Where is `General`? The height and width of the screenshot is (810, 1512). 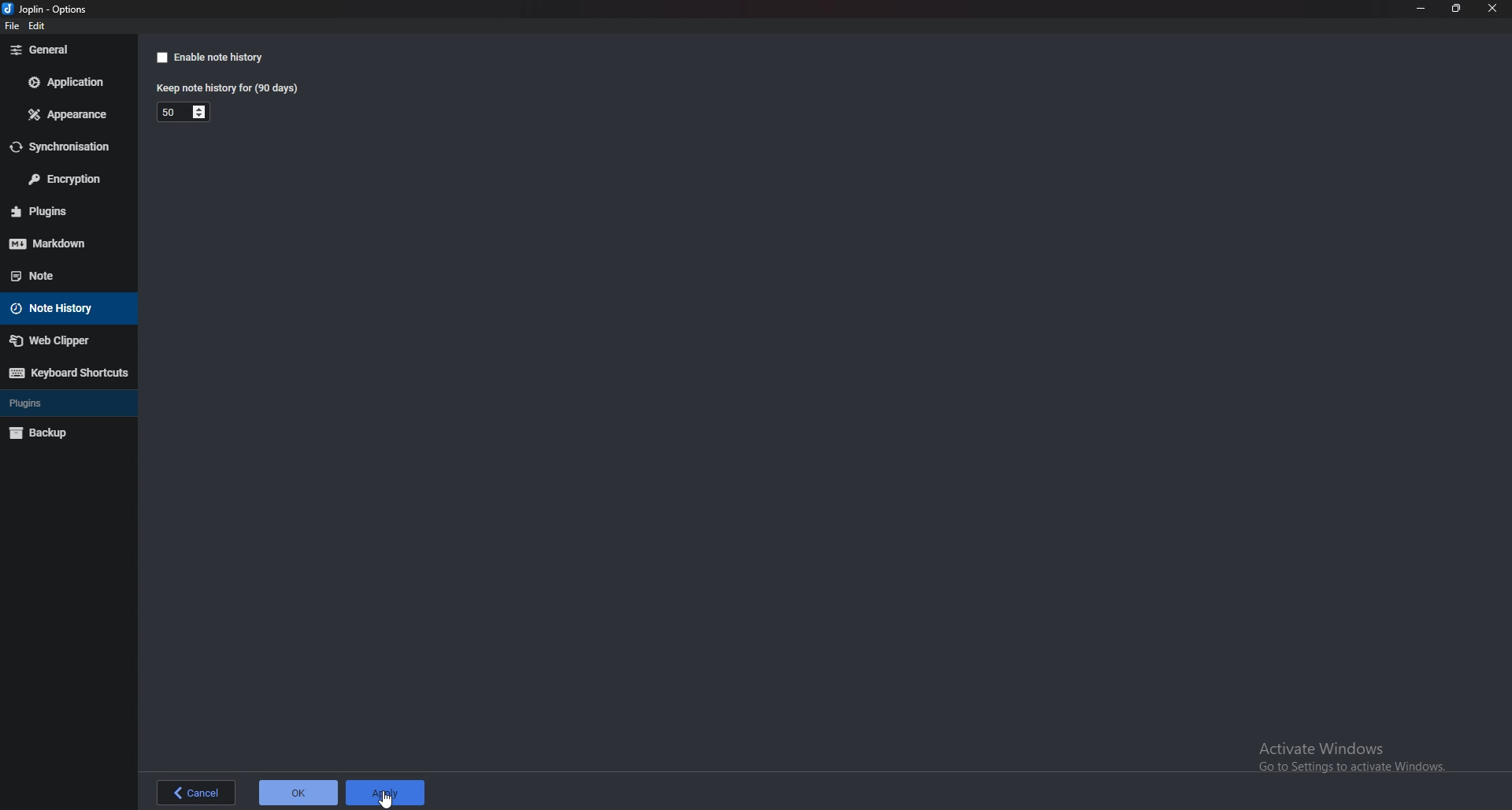
General is located at coordinates (64, 50).